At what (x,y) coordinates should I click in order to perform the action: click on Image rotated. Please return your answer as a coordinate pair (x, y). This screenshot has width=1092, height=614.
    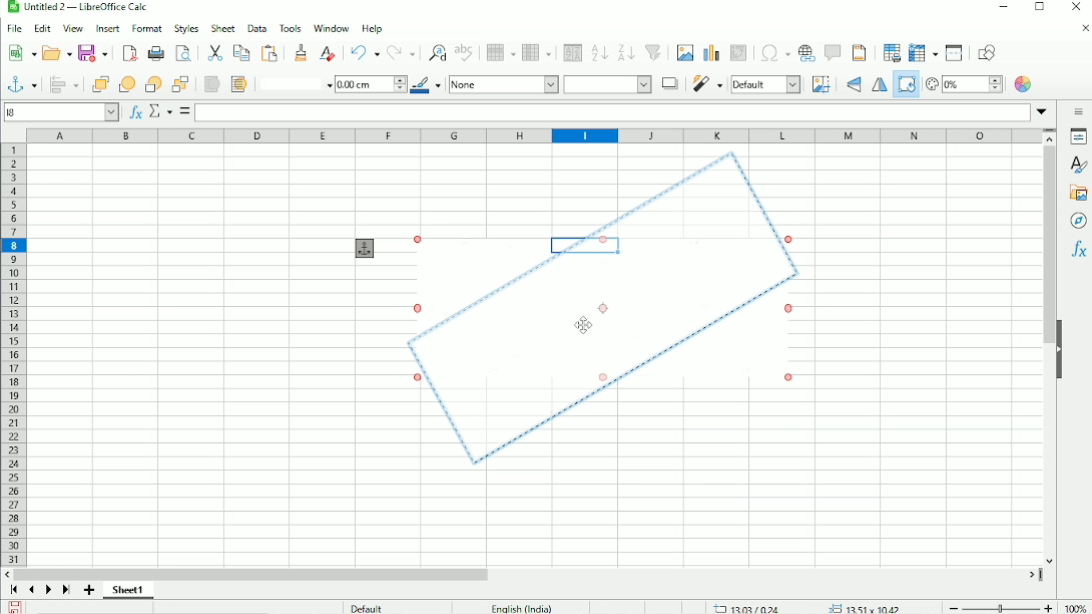
    Looking at the image, I should click on (599, 308).